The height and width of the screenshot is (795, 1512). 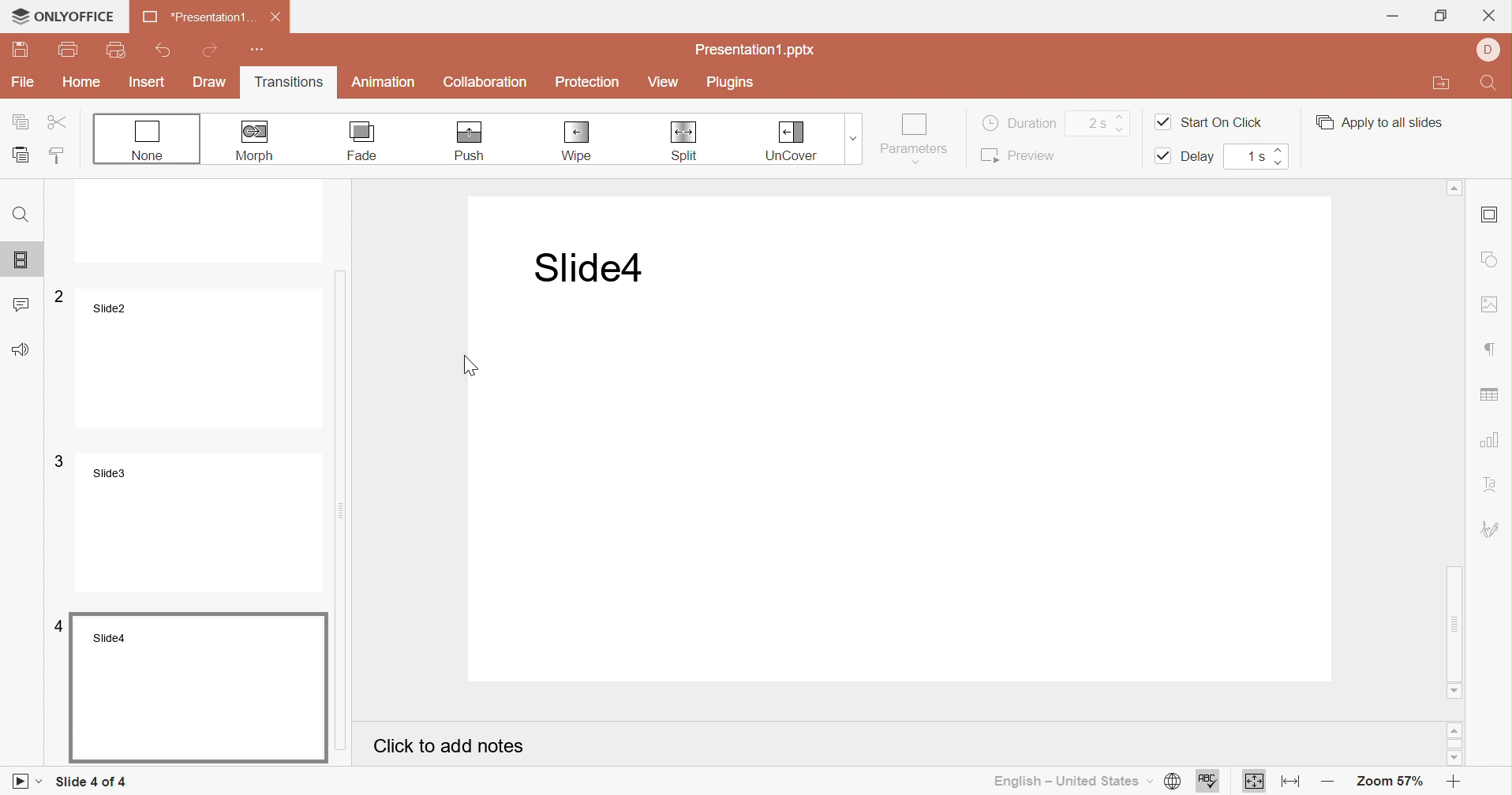 What do you see at coordinates (756, 52) in the screenshot?
I see `Presentation1.pptx` at bounding box center [756, 52].